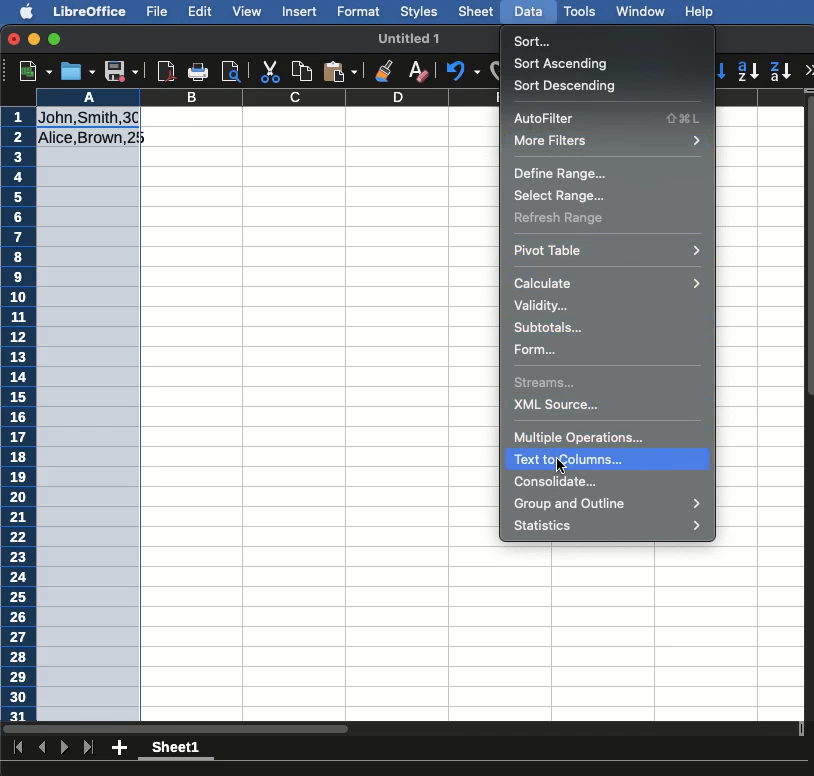 This screenshot has width=814, height=776. I want to click on cursor, so click(559, 467).